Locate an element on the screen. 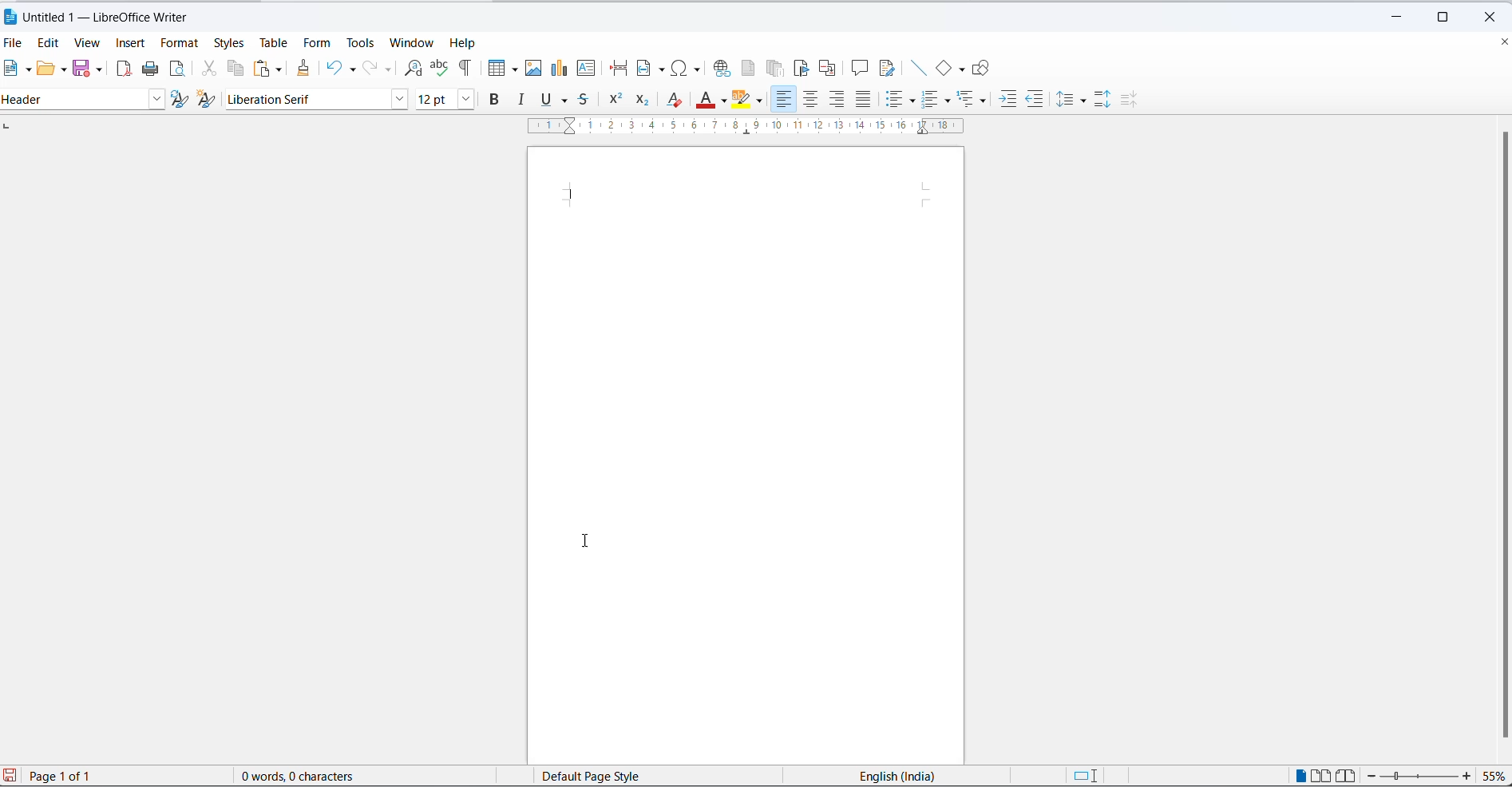 This screenshot has width=1512, height=787. insert bookmark is located at coordinates (802, 69).